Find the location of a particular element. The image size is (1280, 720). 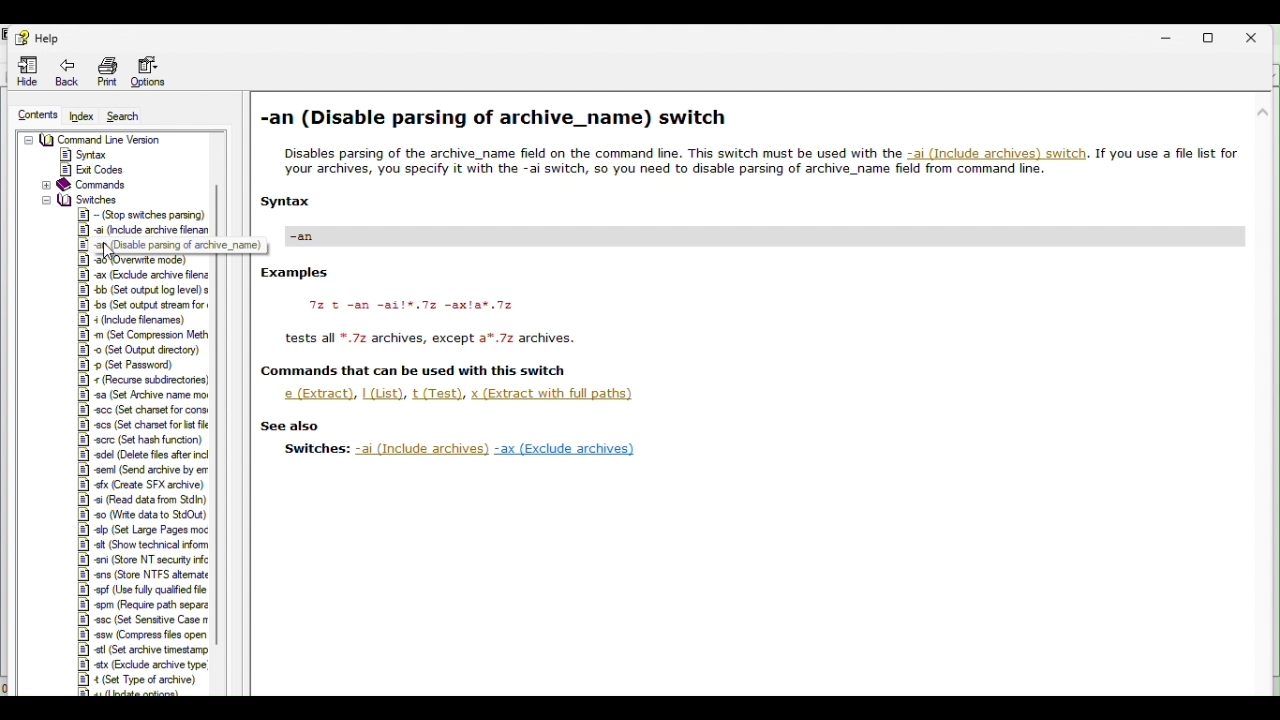

2] - (Stop switches parsing) is located at coordinates (141, 213).